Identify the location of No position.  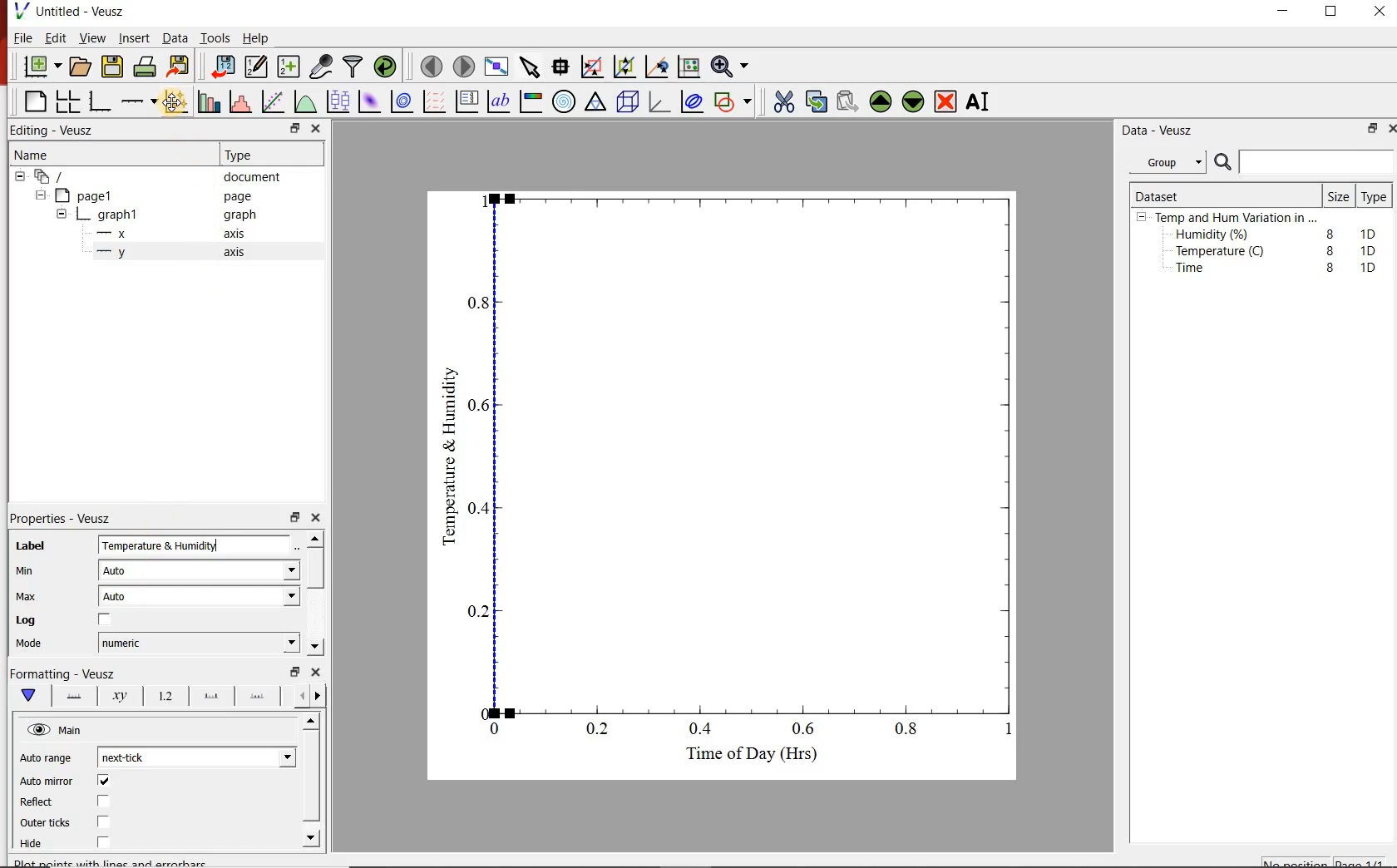
(1296, 862).